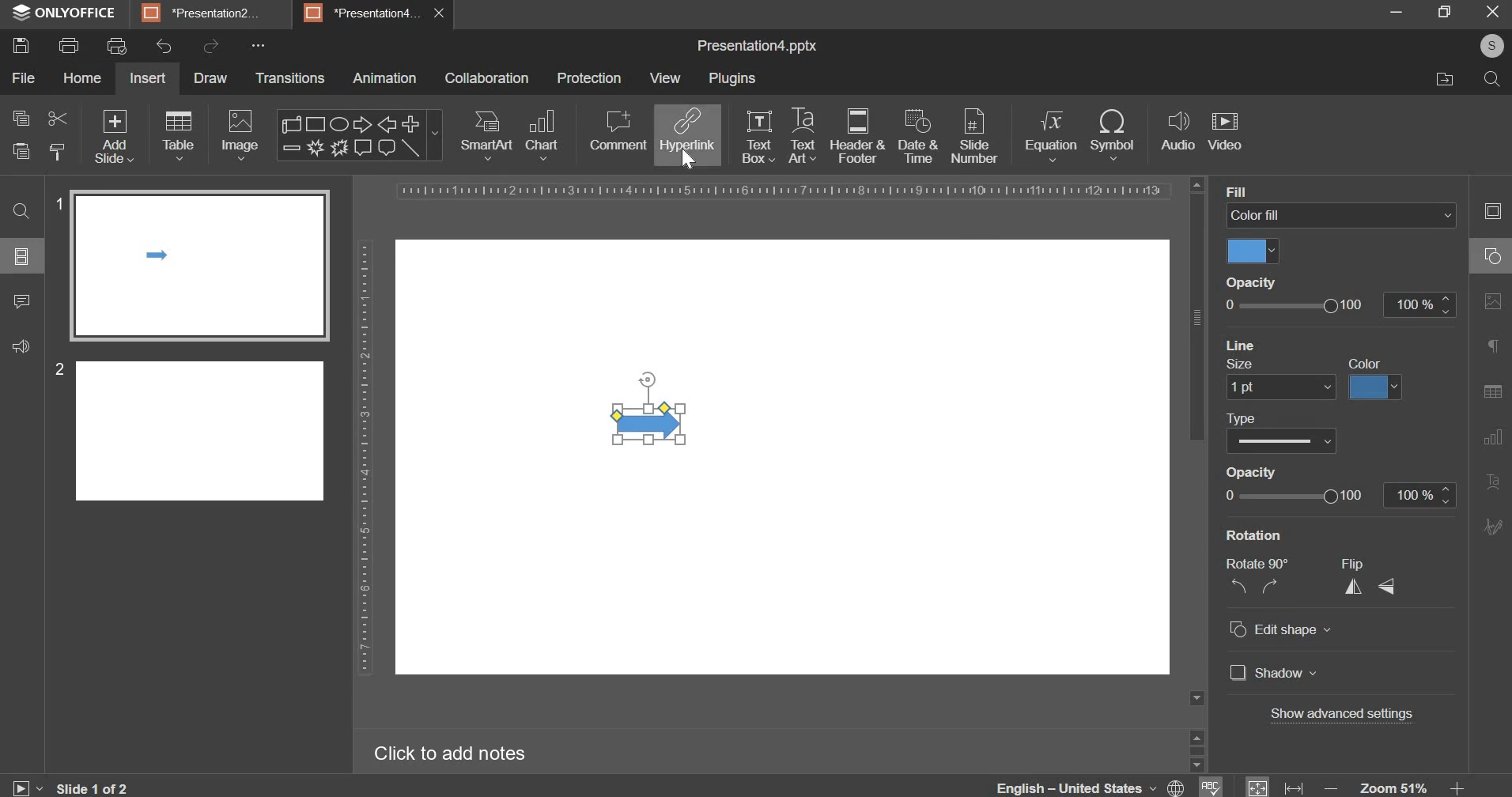 This screenshot has width=1512, height=797. What do you see at coordinates (1272, 387) in the screenshot?
I see `` at bounding box center [1272, 387].